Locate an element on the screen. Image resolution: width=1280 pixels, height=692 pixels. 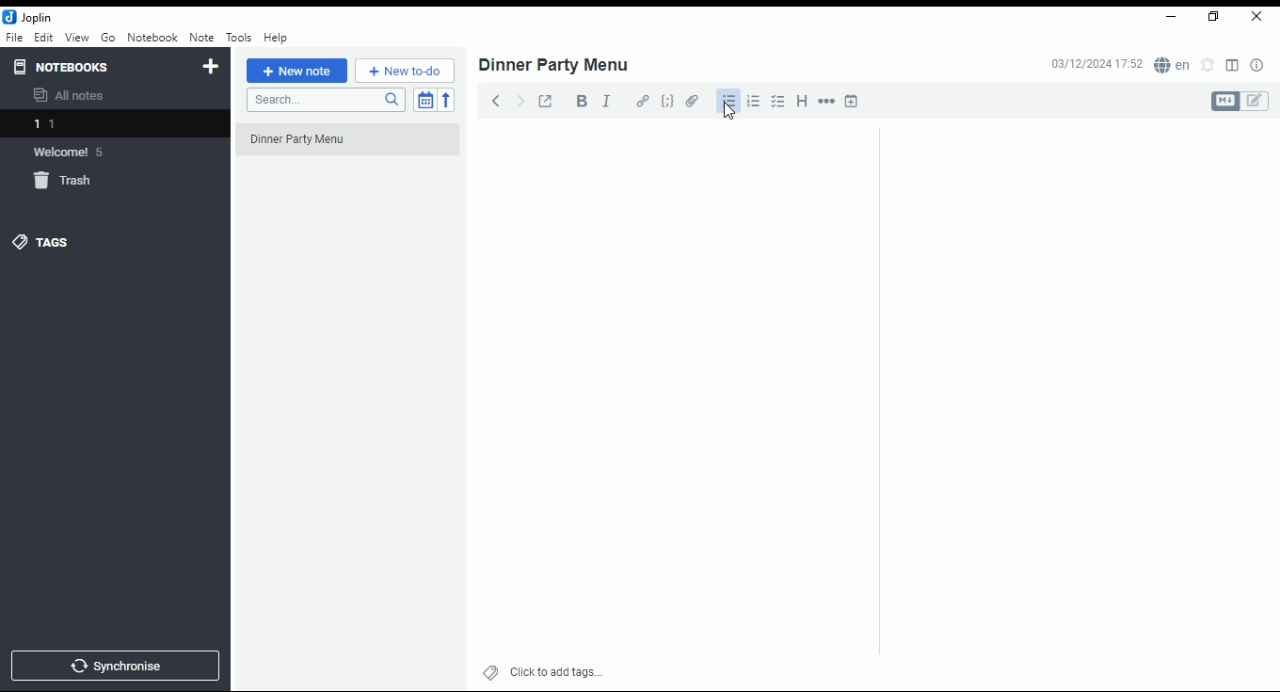
tools is located at coordinates (238, 36).